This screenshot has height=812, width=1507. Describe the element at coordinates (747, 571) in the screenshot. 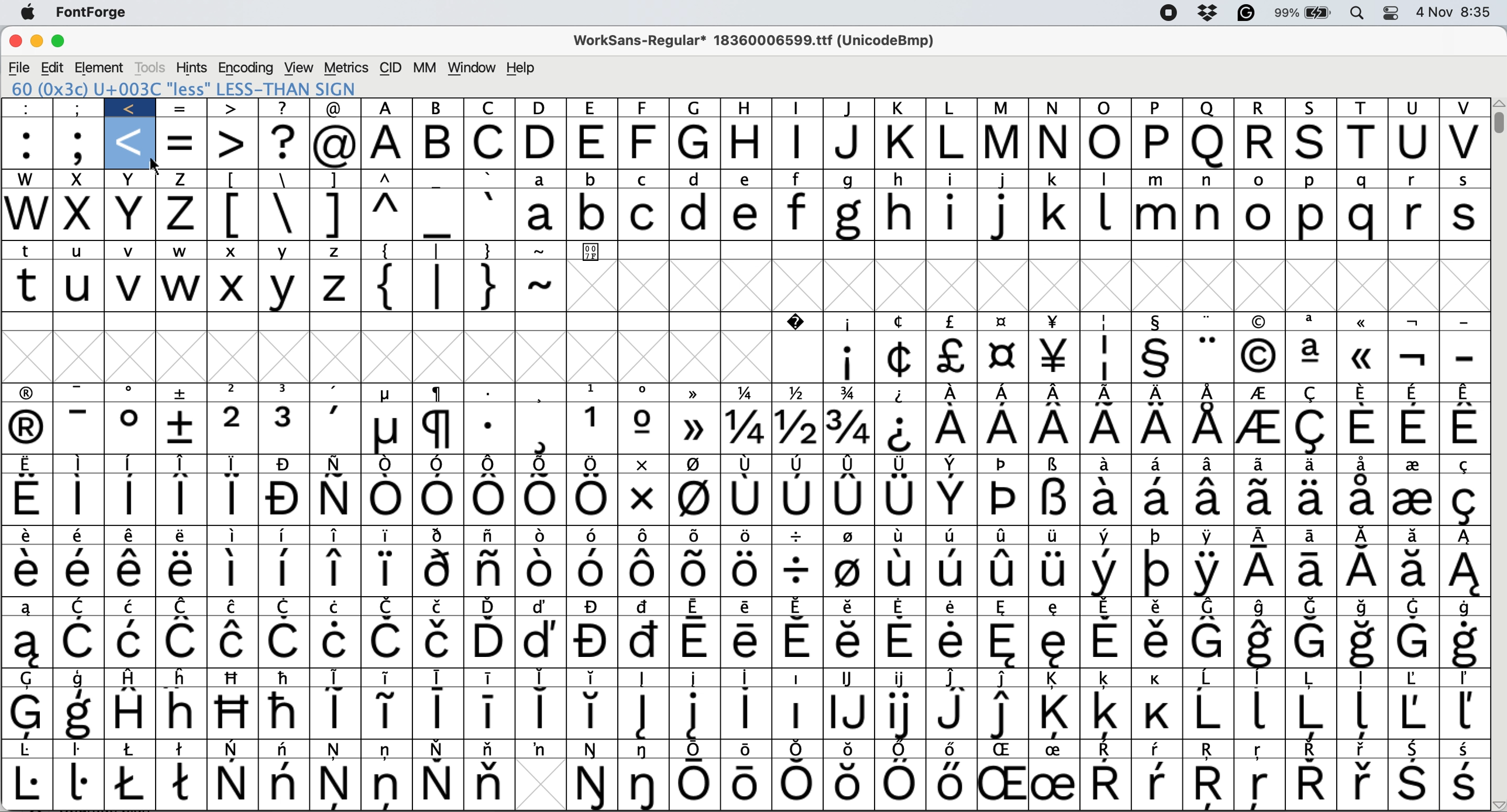

I see `Symbol` at that location.